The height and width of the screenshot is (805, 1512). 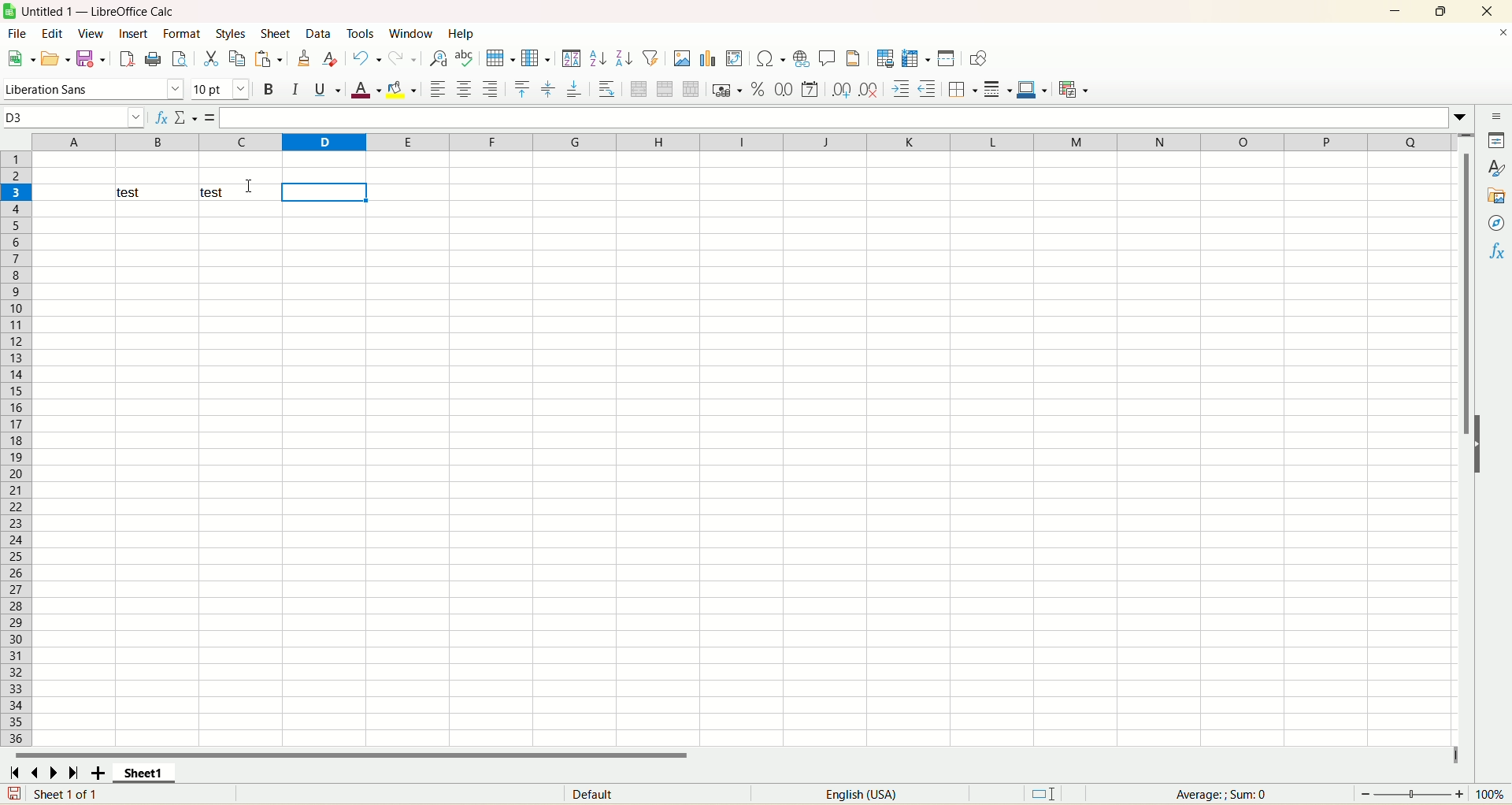 What do you see at coordinates (9, 11) in the screenshot?
I see `Software logo` at bounding box center [9, 11].